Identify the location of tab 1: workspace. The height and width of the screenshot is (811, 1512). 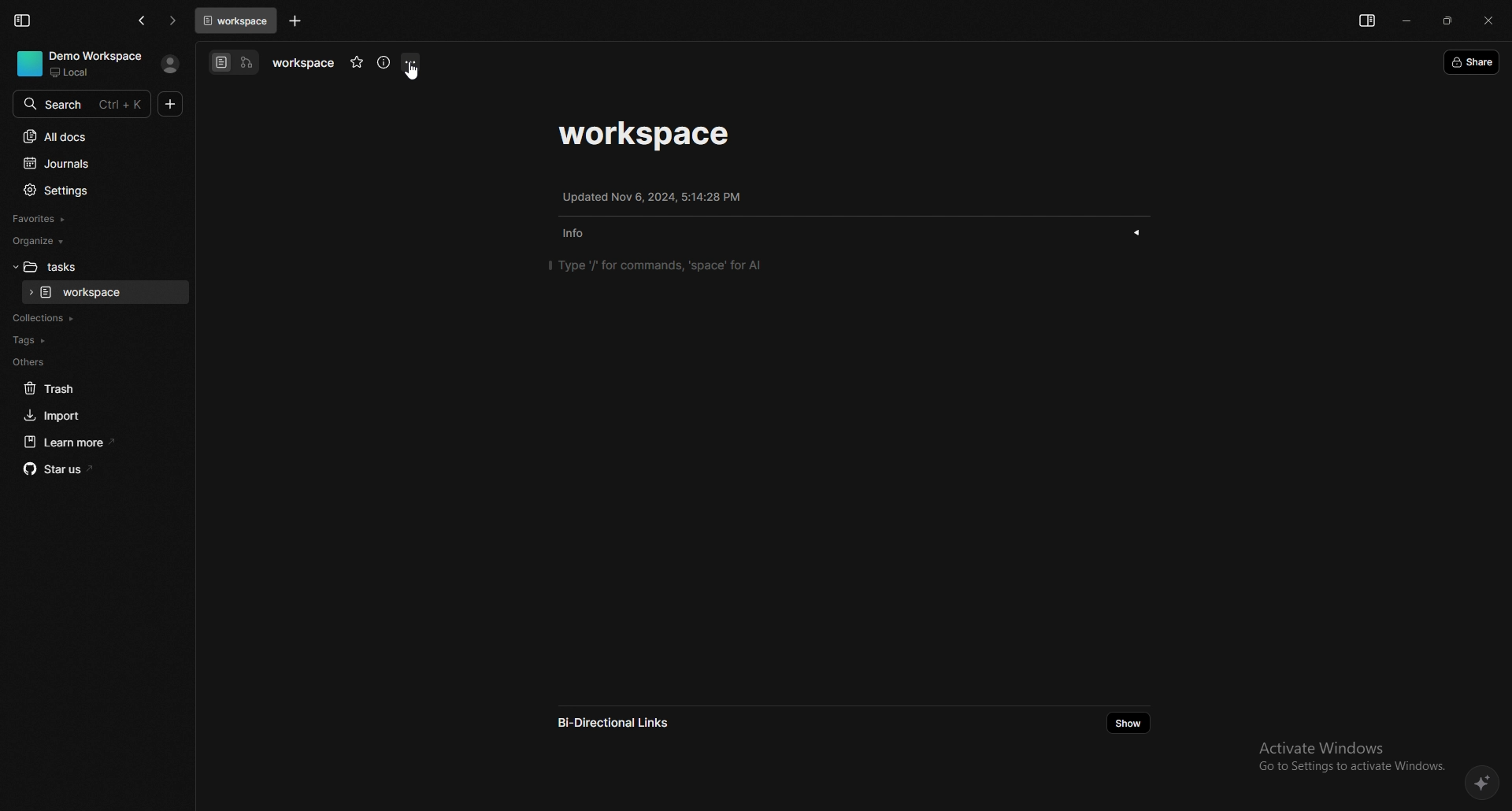
(235, 20).